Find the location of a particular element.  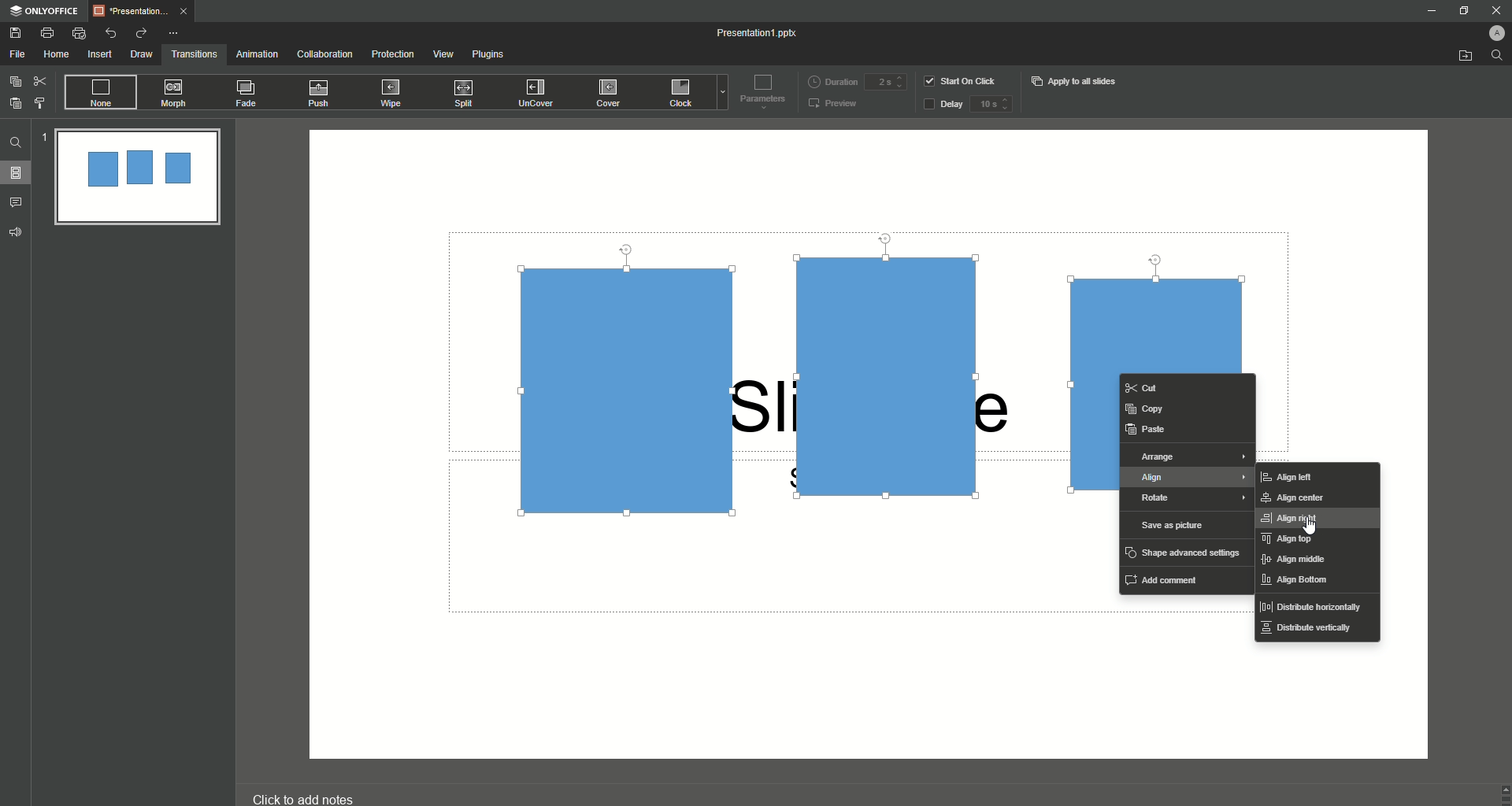

Paste is located at coordinates (16, 103).